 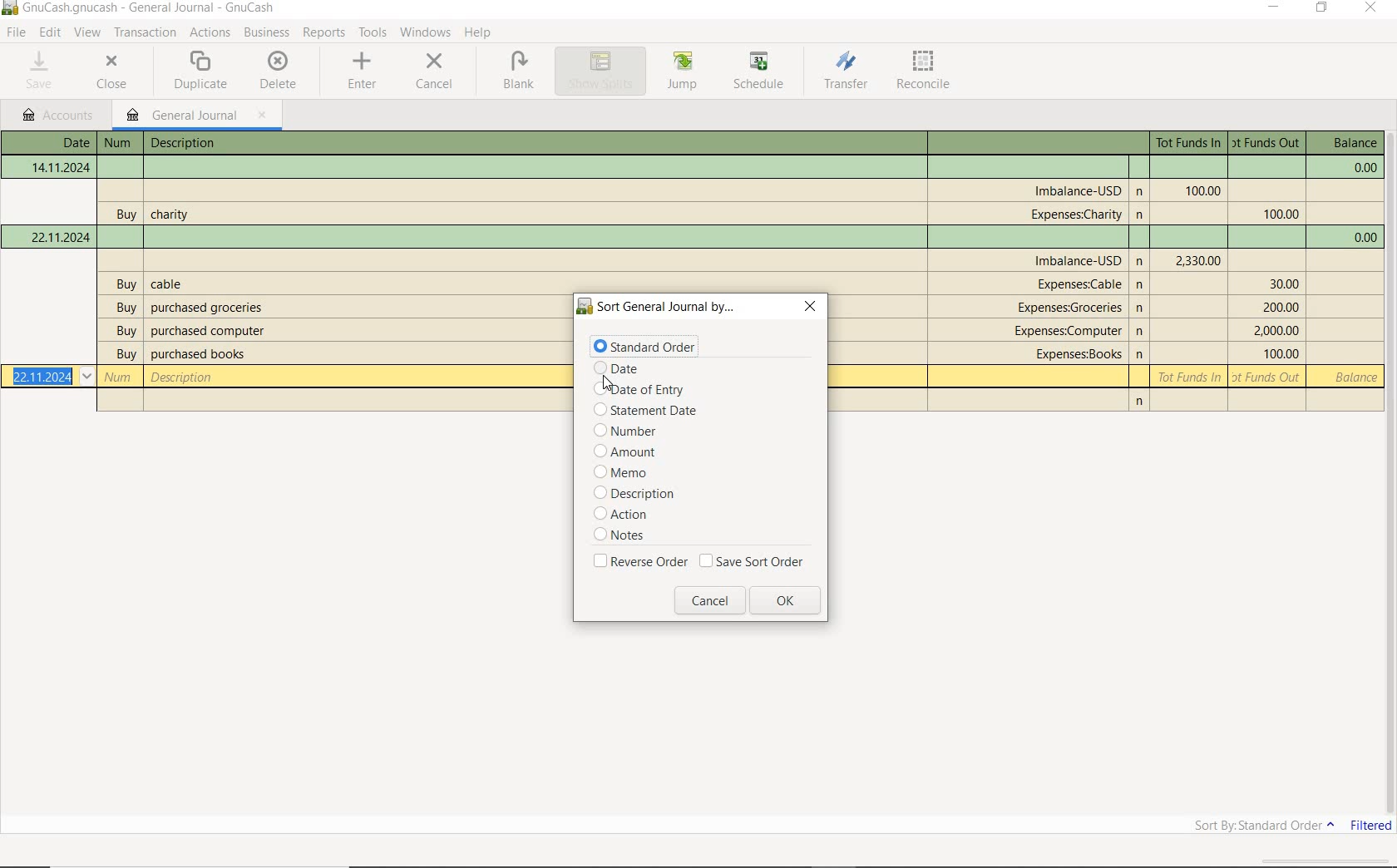 What do you see at coordinates (1075, 355) in the screenshot?
I see `account` at bounding box center [1075, 355].